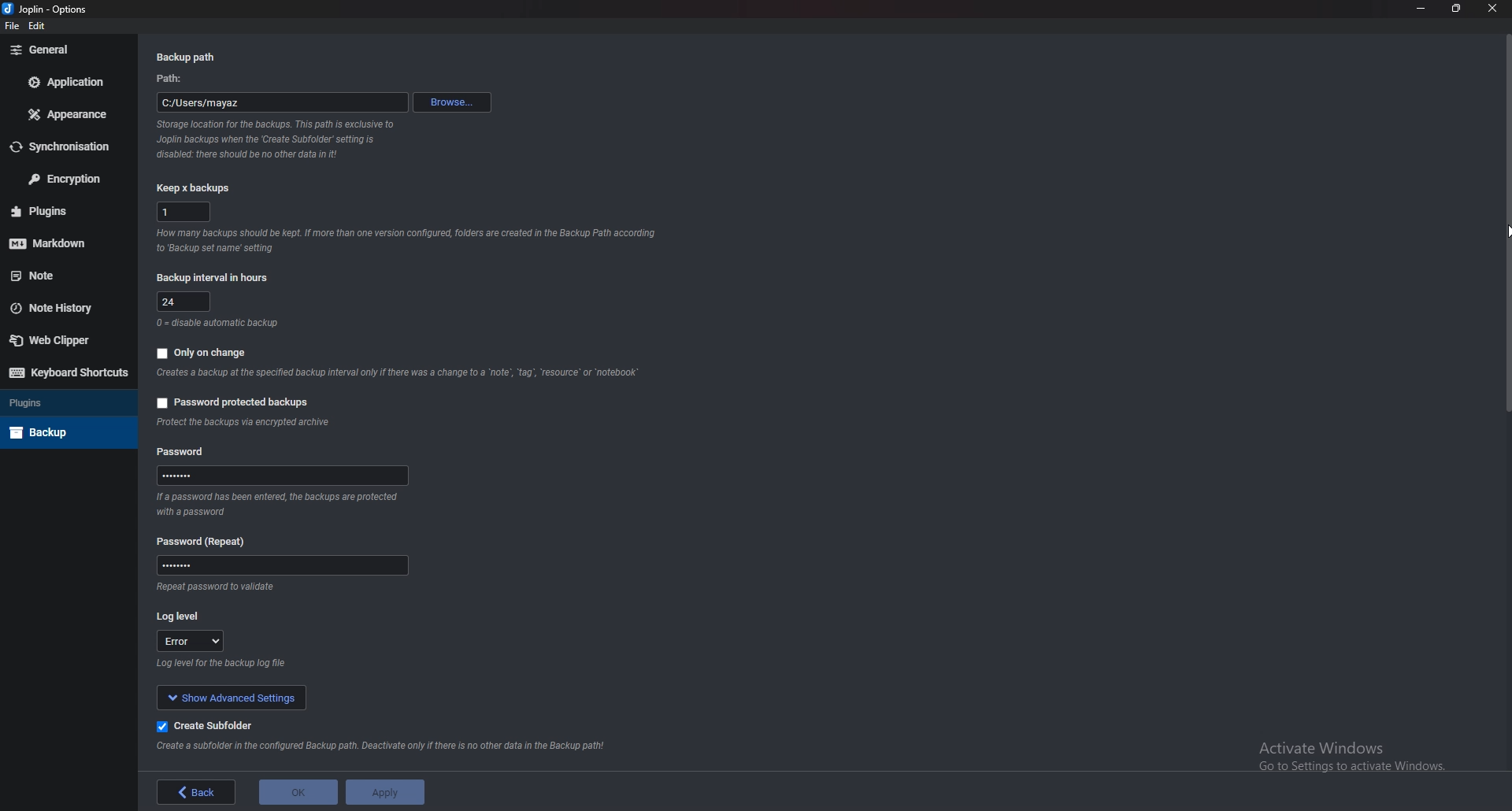 This screenshot has width=1512, height=811. I want to click on Info, so click(283, 505).